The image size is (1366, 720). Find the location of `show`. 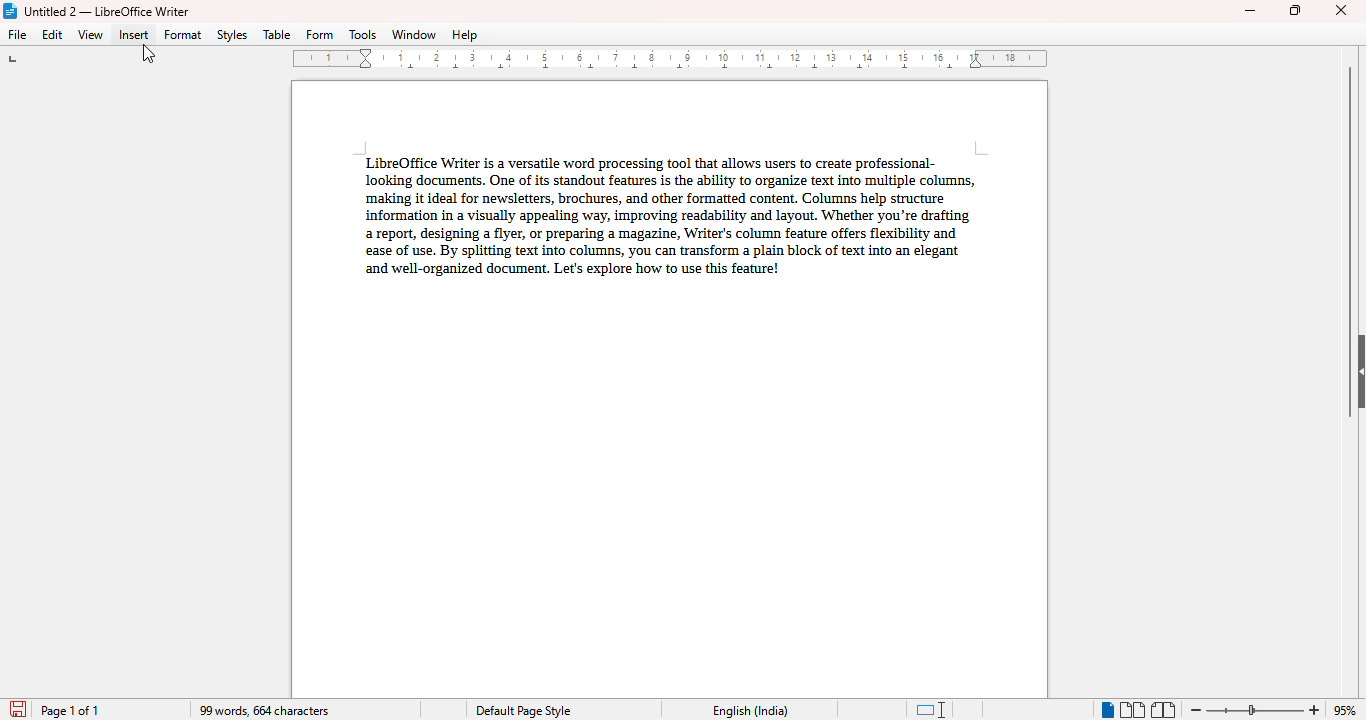

show is located at coordinates (1357, 371).